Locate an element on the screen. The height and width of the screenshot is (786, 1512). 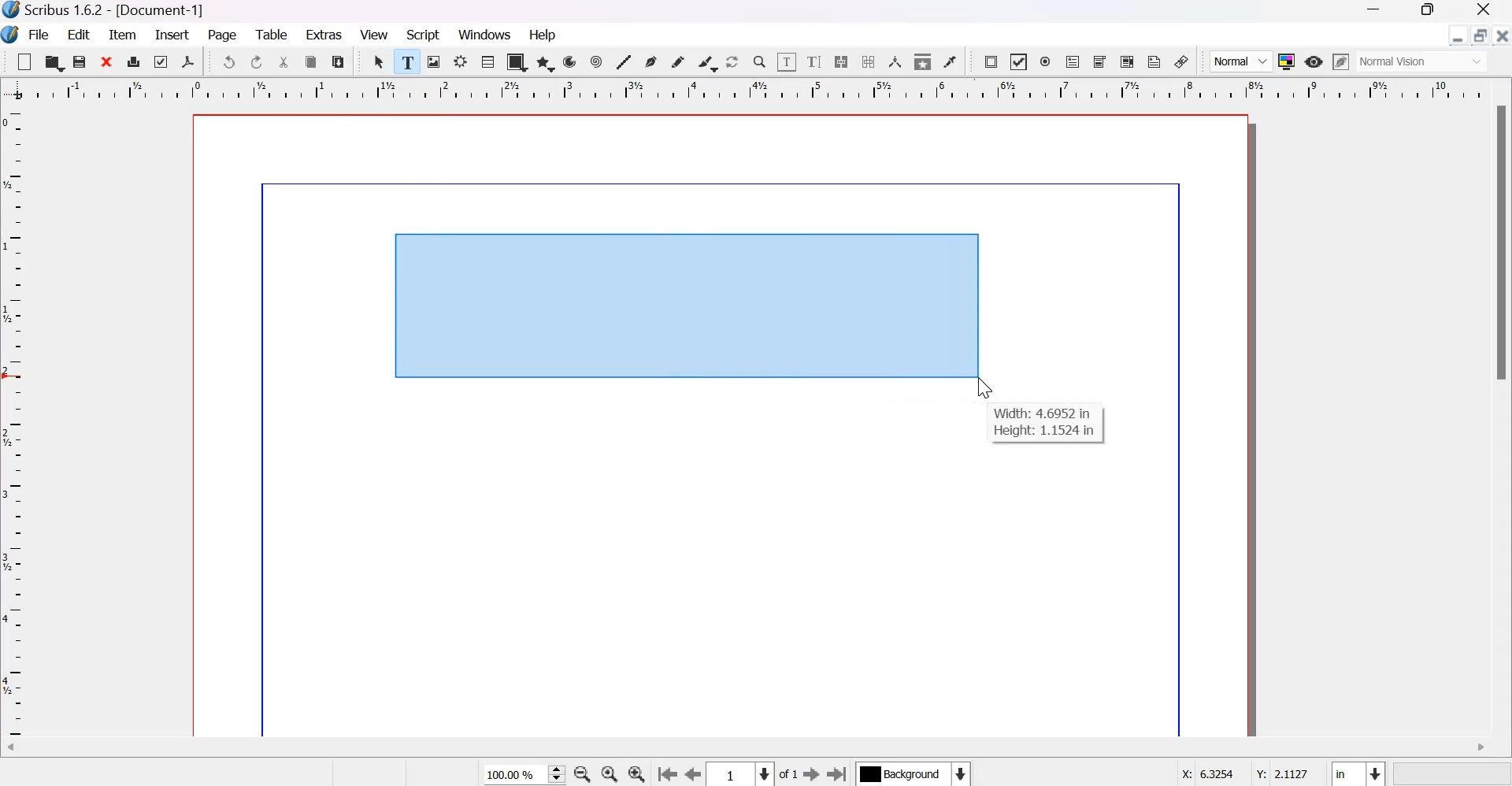
Scroll left is located at coordinates (24, 750).